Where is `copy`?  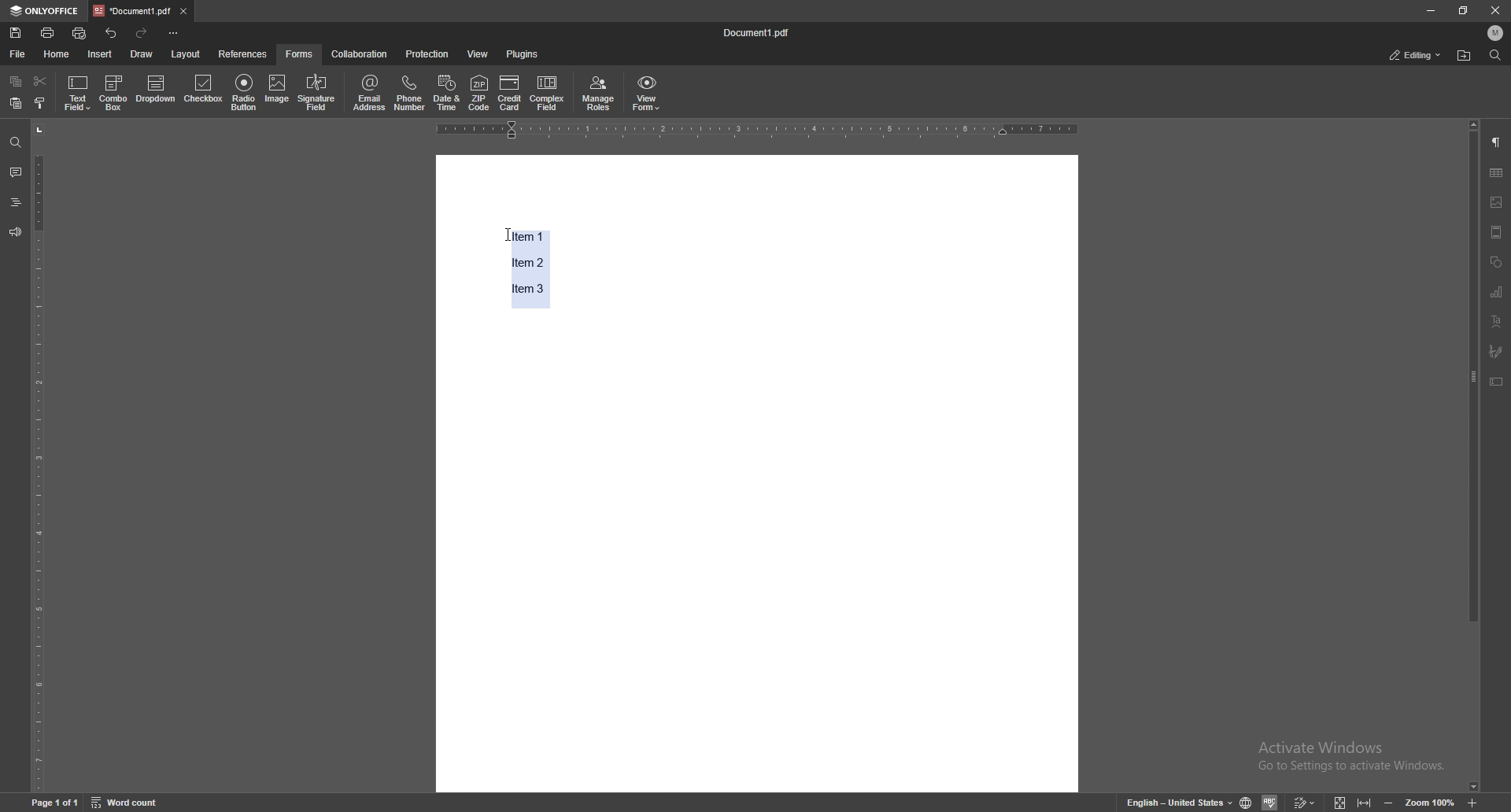
copy is located at coordinates (17, 81).